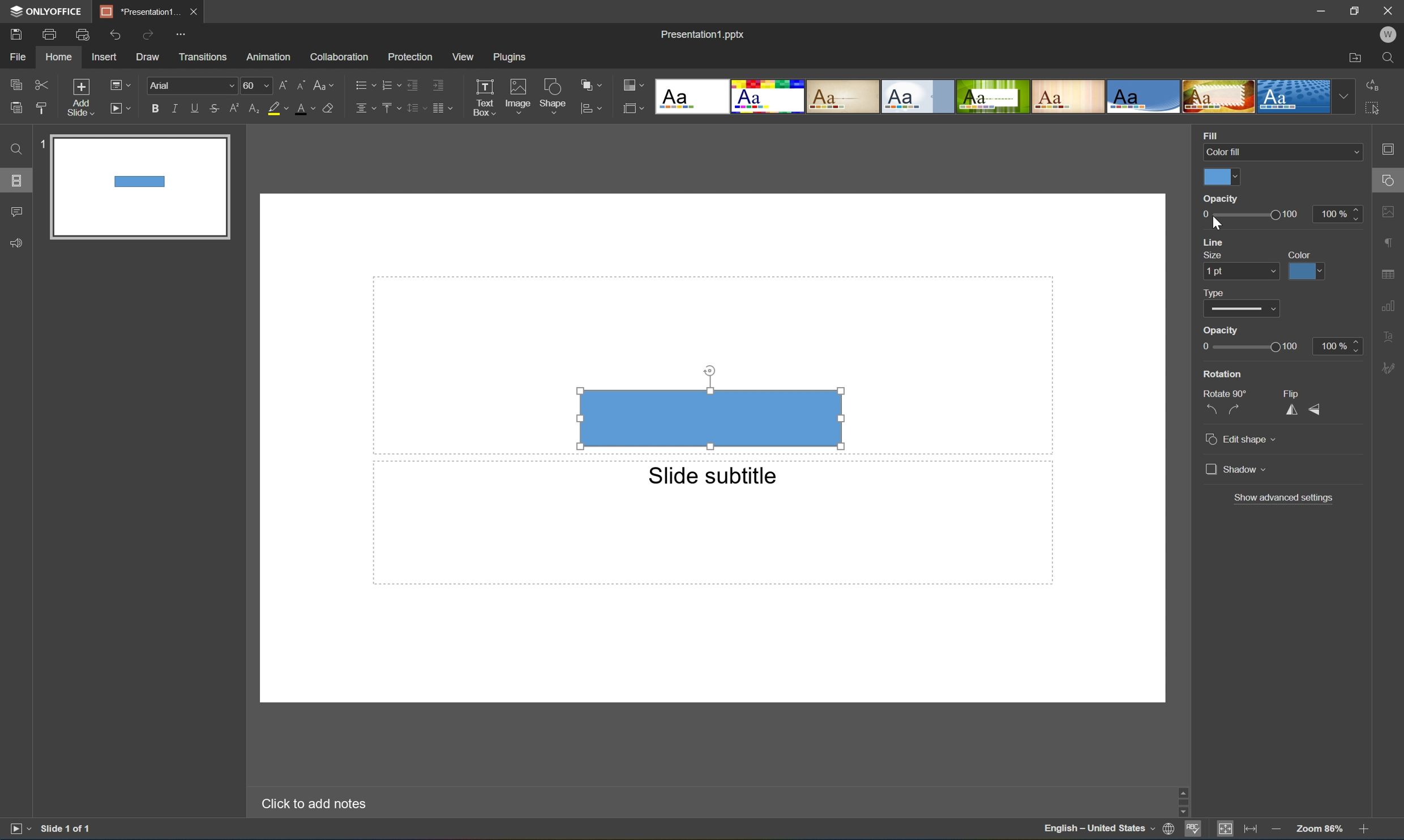 The height and width of the screenshot is (840, 1404). What do you see at coordinates (340, 57) in the screenshot?
I see `Collaboration` at bounding box center [340, 57].